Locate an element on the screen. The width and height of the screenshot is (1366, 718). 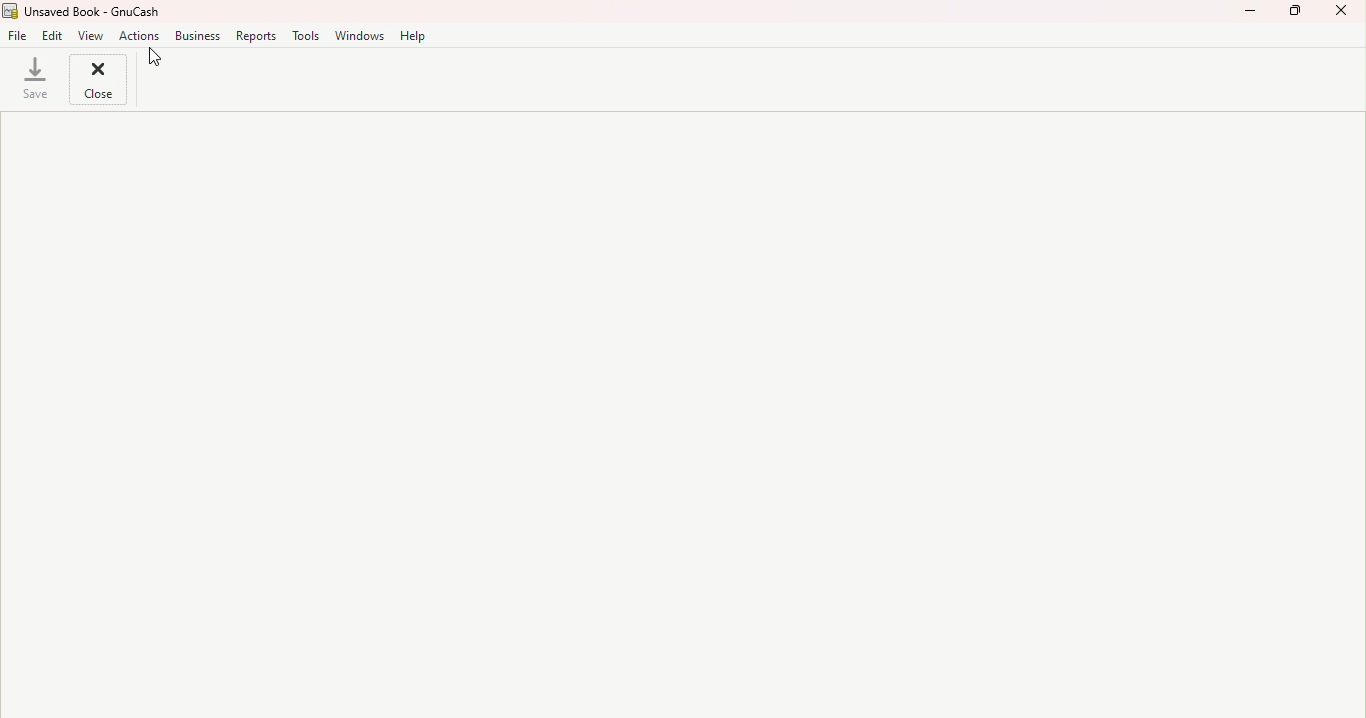
View is located at coordinates (93, 35).